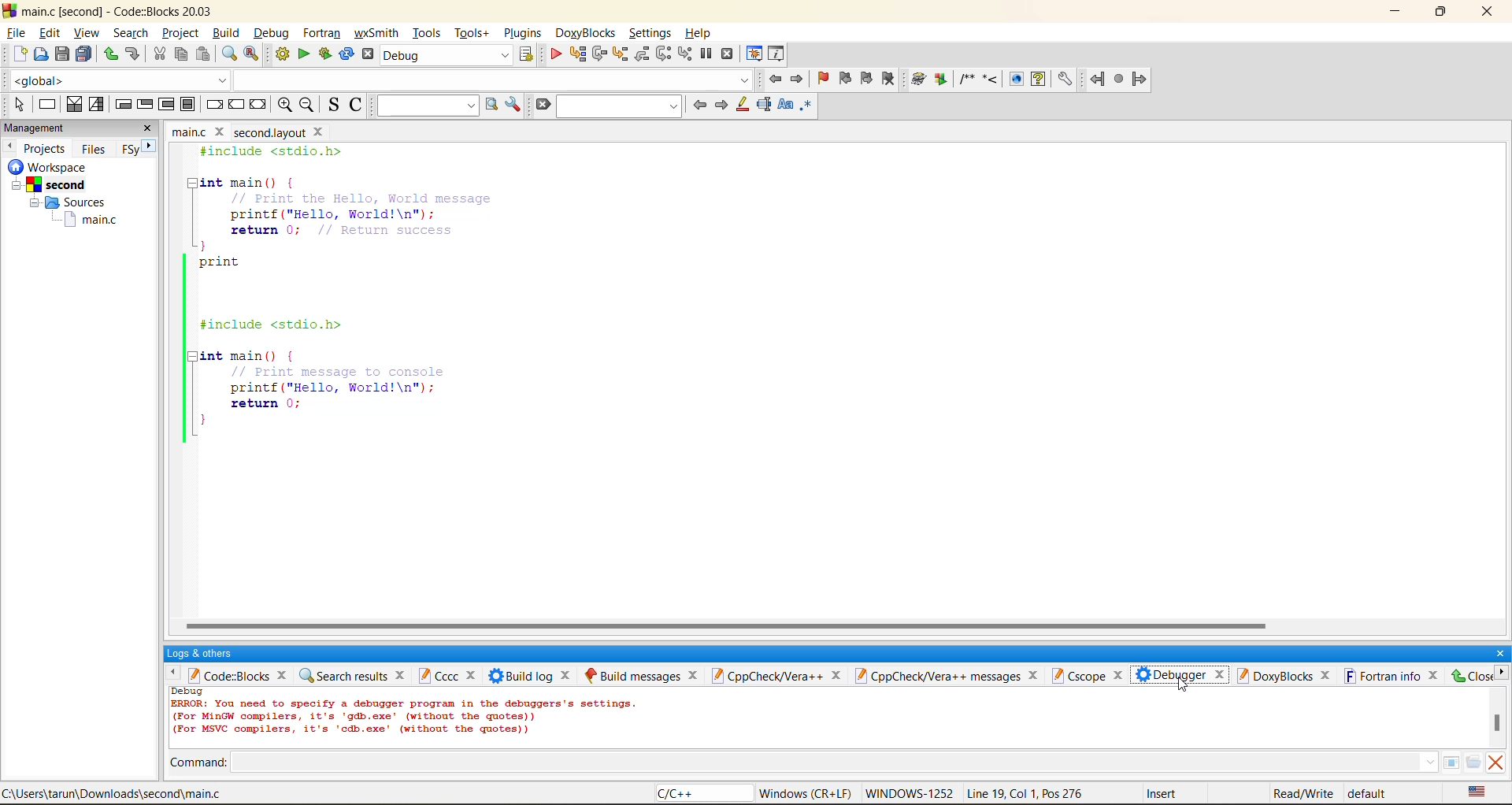 The height and width of the screenshot is (805, 1512). Describe the element at coordinates (83, 55) in the screenshot. I see `save everything` at that location.